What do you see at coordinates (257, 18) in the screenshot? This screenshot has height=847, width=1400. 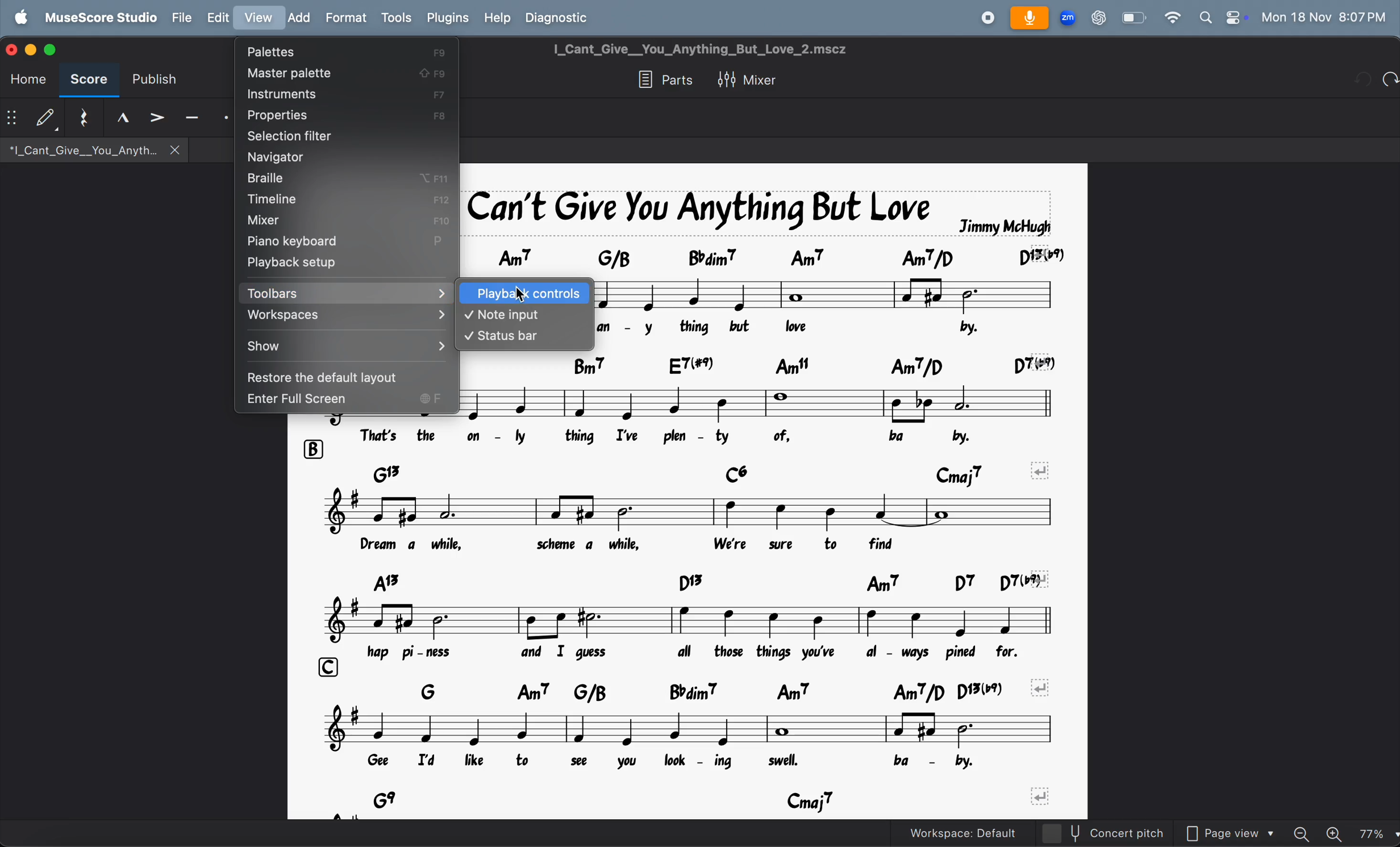 I see `view` at bounding box center [257, 18].